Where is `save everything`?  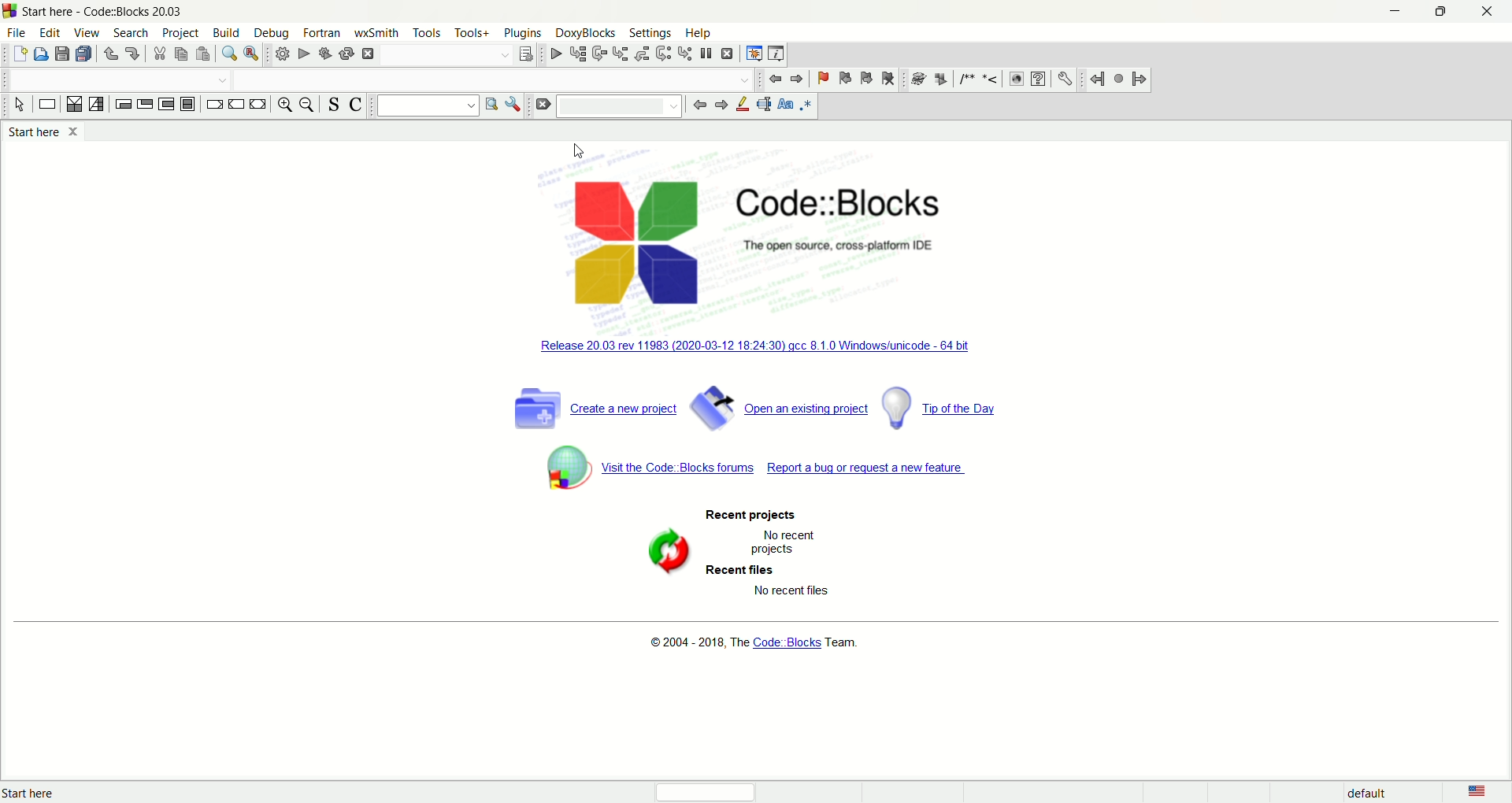 save everything is located at coordinates (86, 54).